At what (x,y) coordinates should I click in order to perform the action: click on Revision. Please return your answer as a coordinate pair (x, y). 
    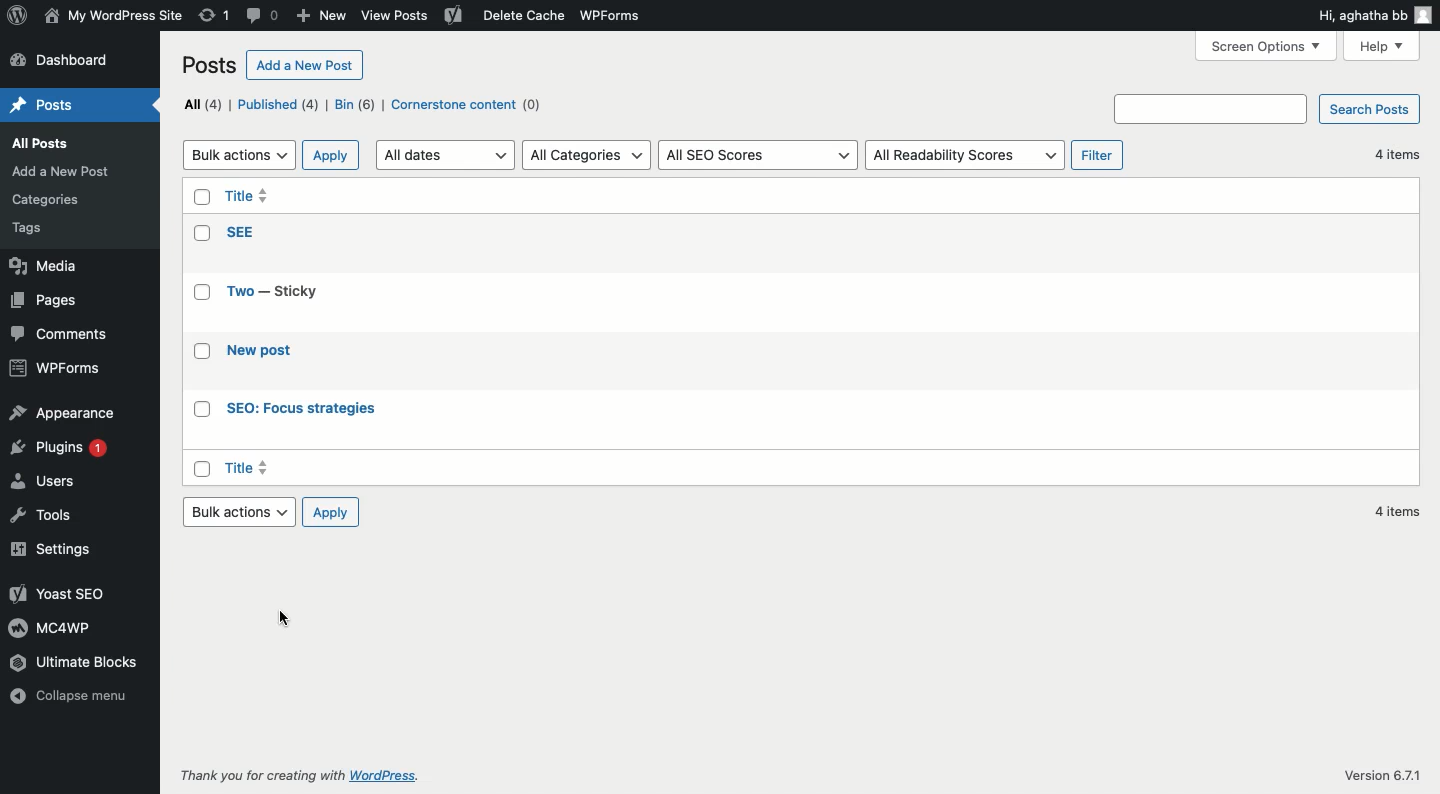
    Looking at the image, I should click on (215, 17).